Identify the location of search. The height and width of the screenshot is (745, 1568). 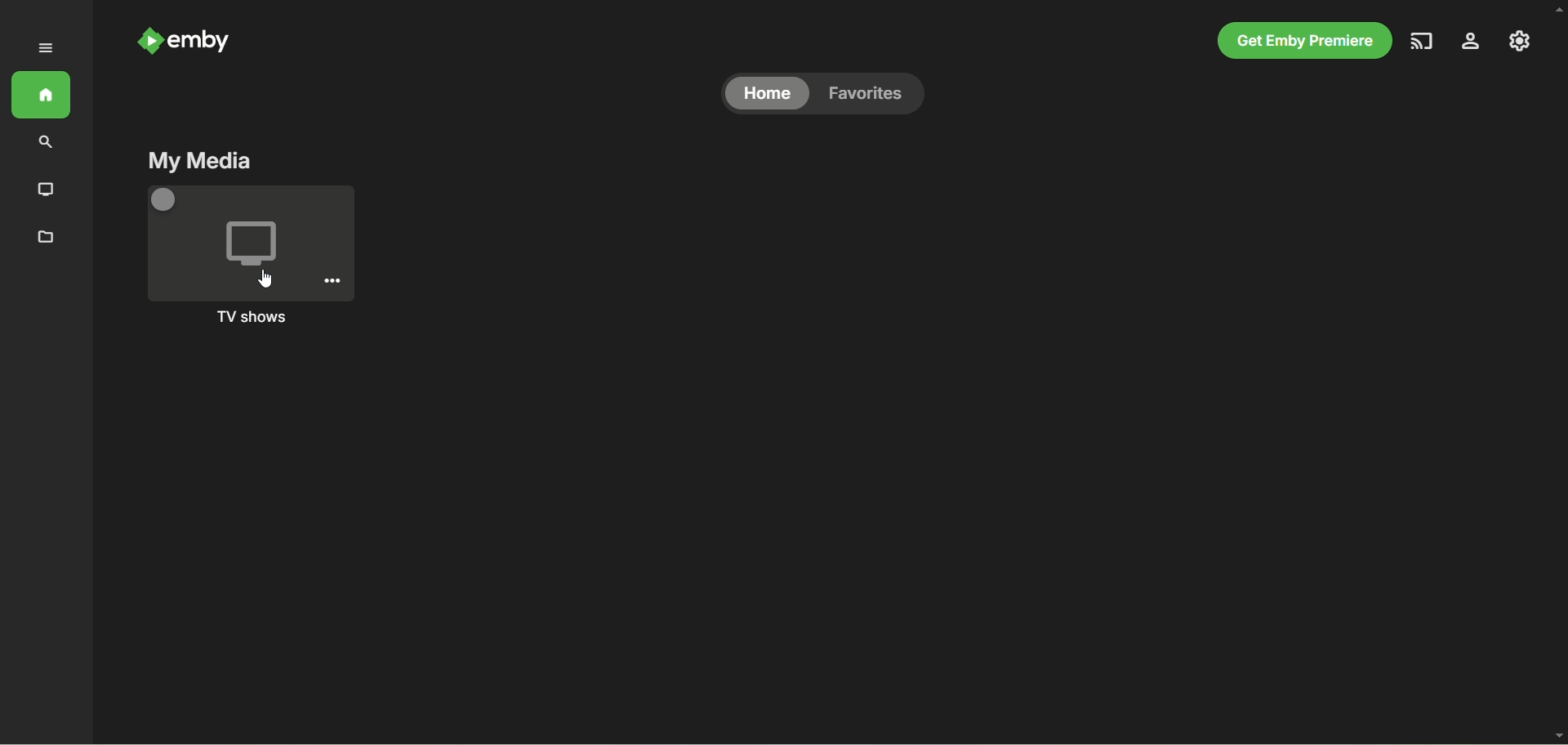
(42, 143).